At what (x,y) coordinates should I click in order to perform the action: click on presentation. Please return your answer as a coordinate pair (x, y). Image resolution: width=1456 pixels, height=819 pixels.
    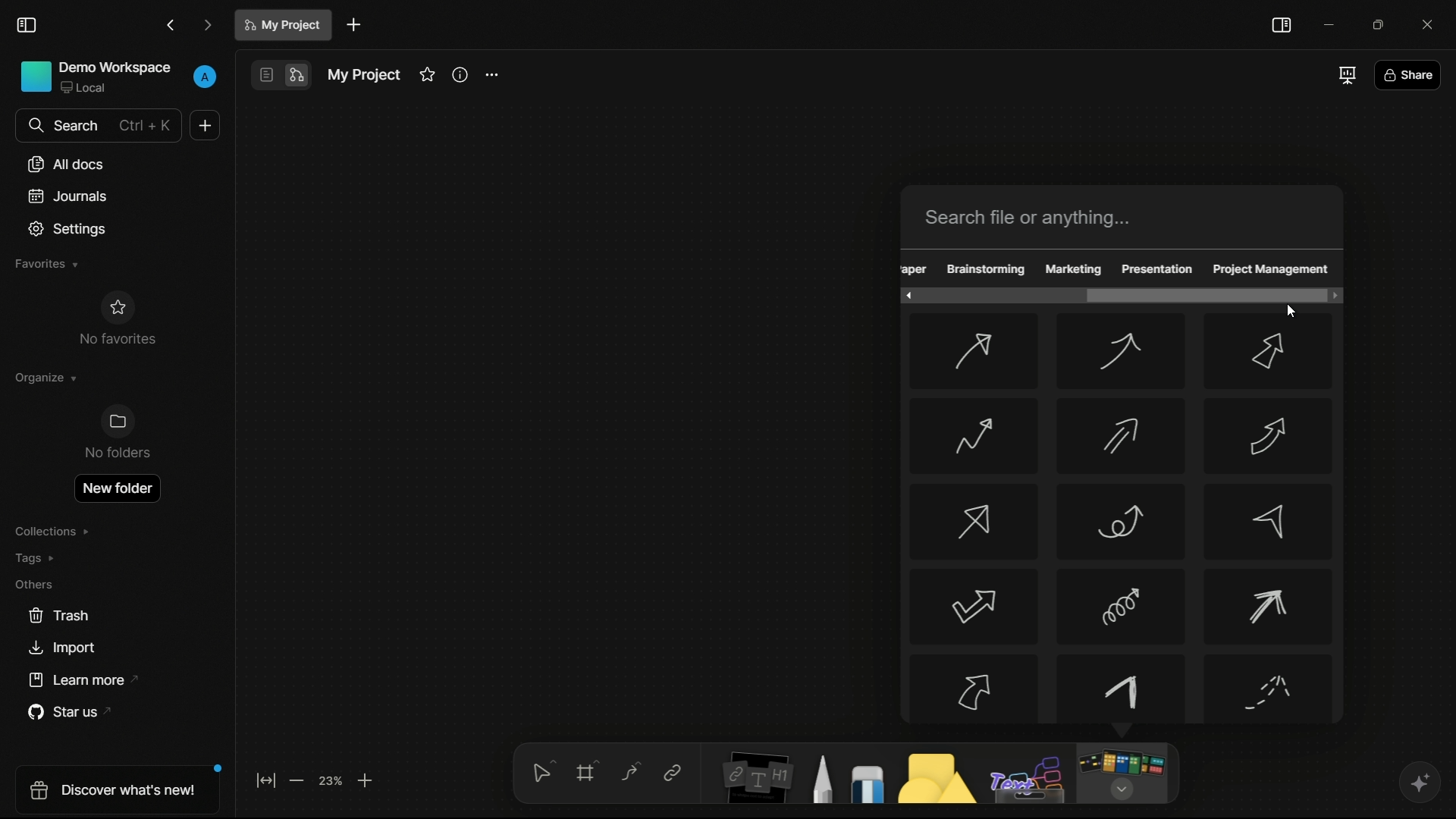
    Looking at the image, I should click on (1156, 268).